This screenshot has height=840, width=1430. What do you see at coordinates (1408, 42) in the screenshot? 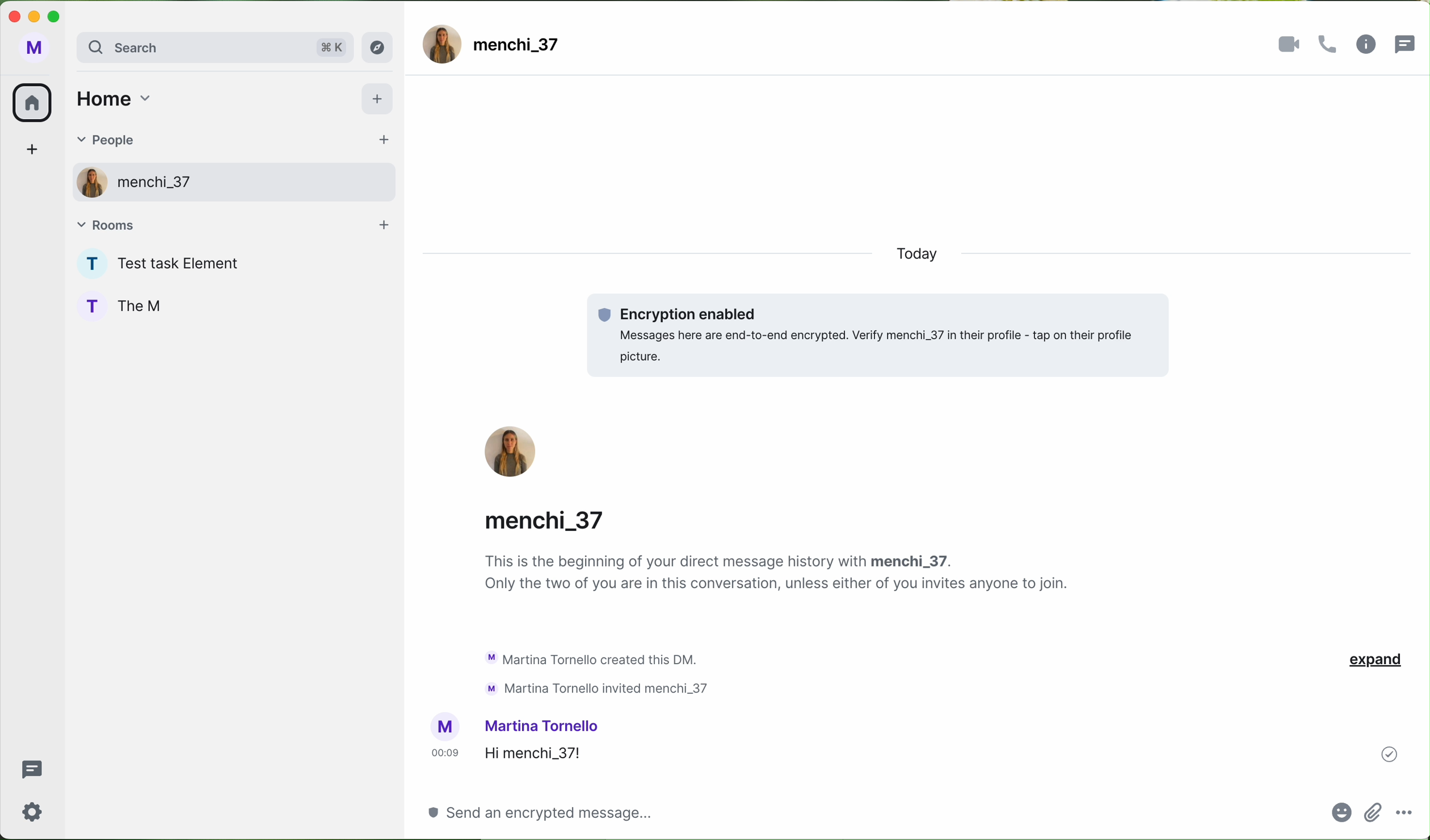
I see `threads` at bounding box center [1408, 42].